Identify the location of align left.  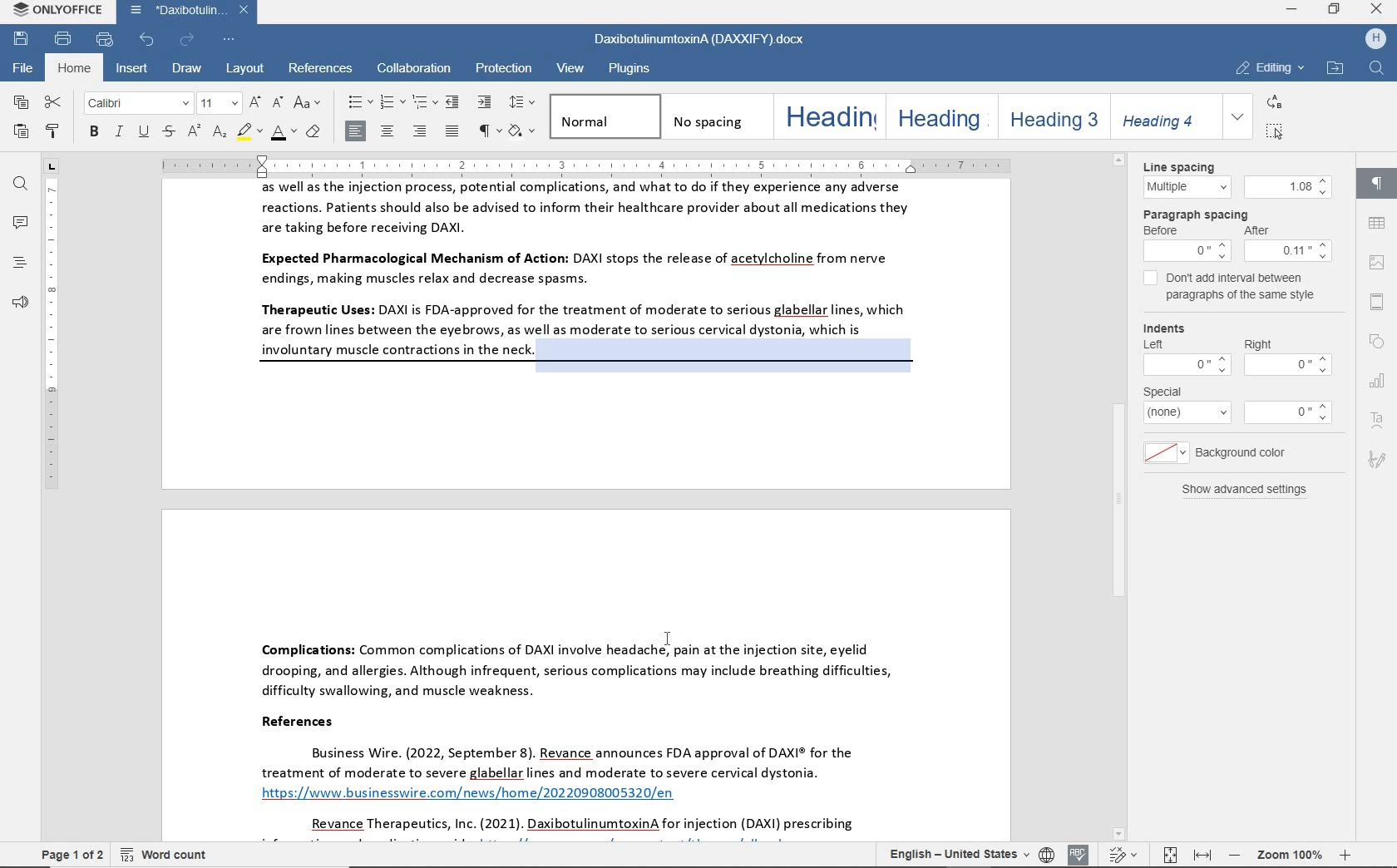
(420, 131).